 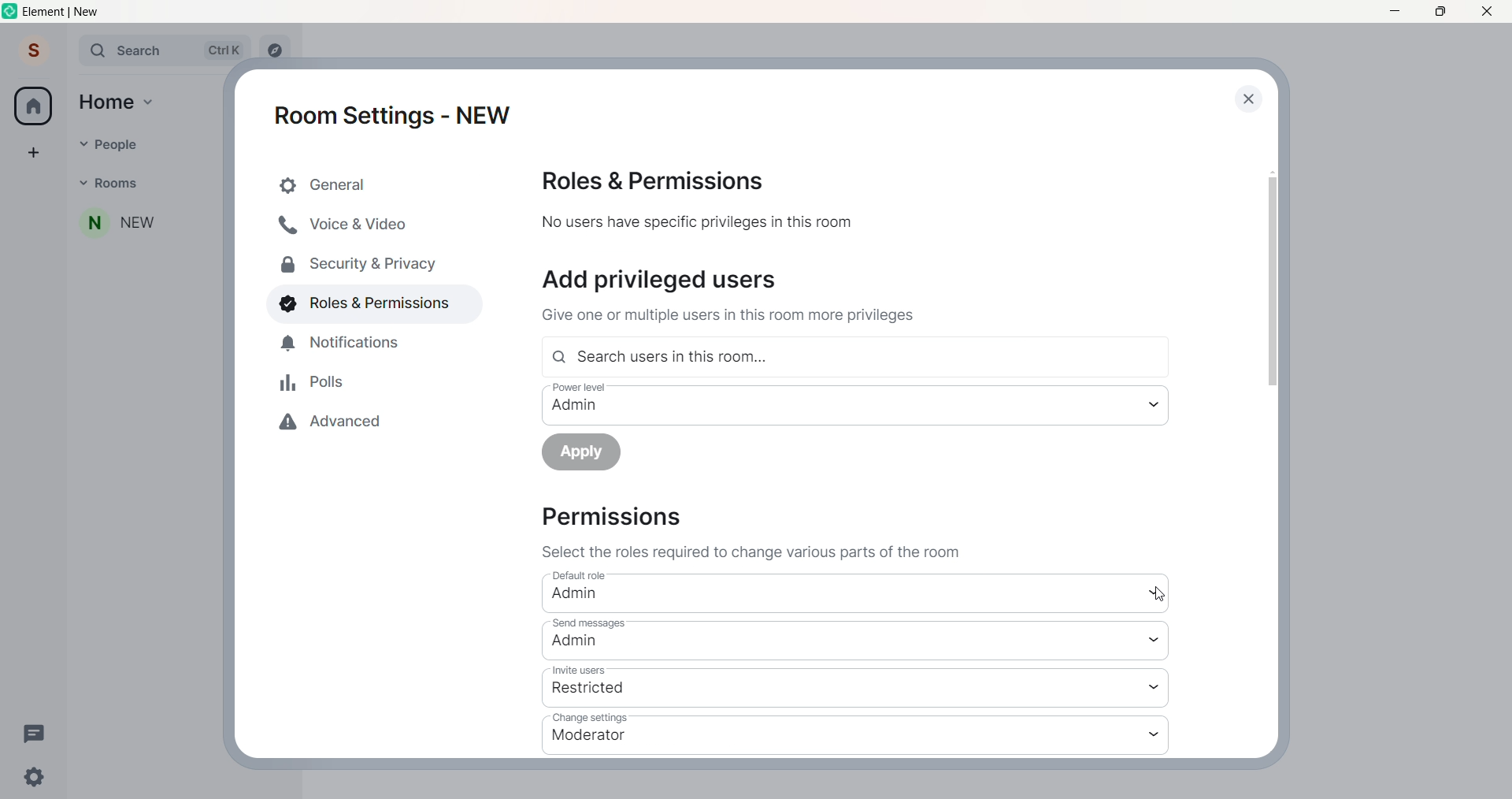 What do you see at coordinates (860, 355) in the screenshot?
I see `search user` at bounding box center [860, 355].